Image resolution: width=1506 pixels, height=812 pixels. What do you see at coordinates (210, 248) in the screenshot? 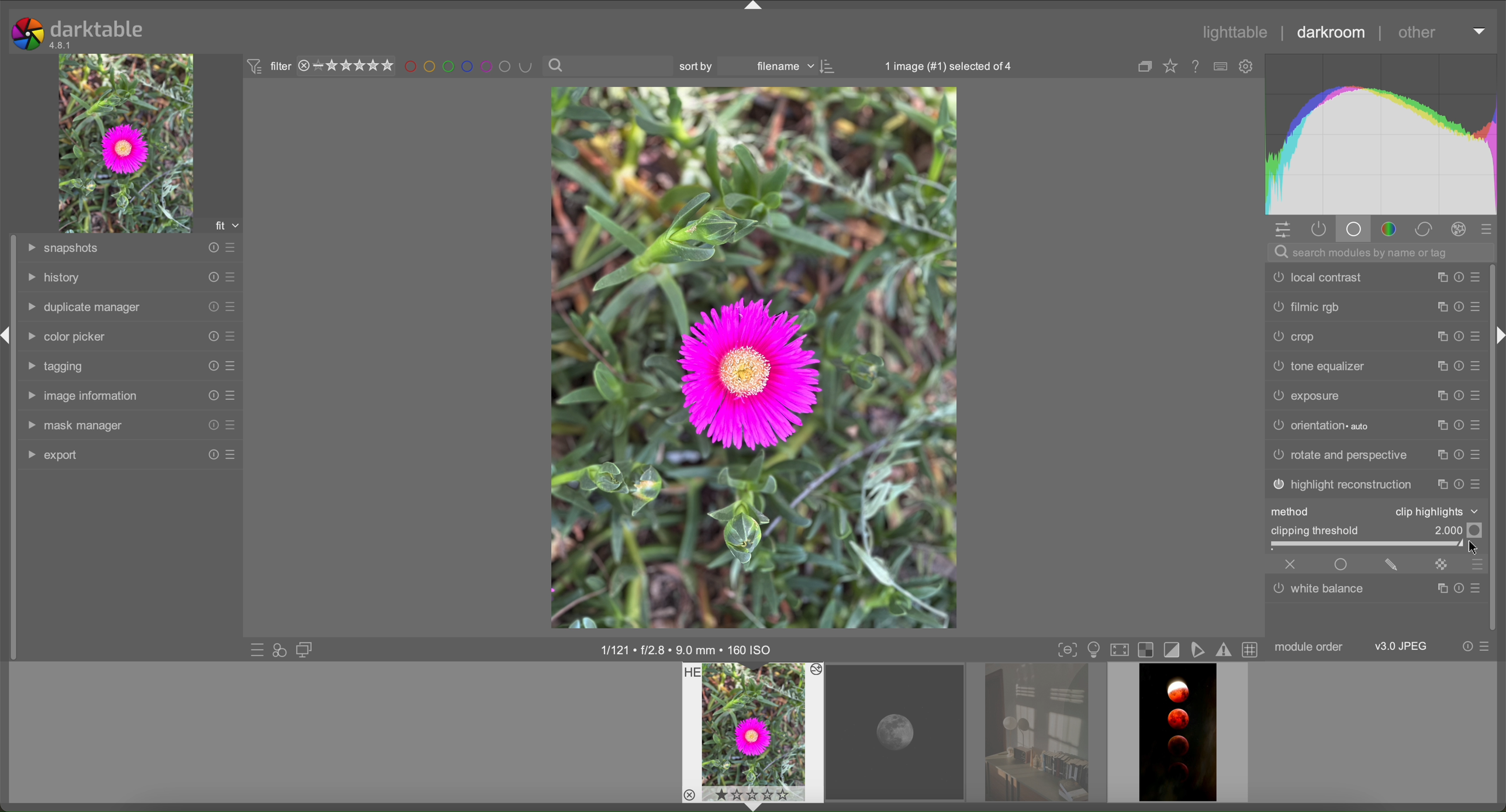
I see `reset presets` at bounding box center [210, 248].